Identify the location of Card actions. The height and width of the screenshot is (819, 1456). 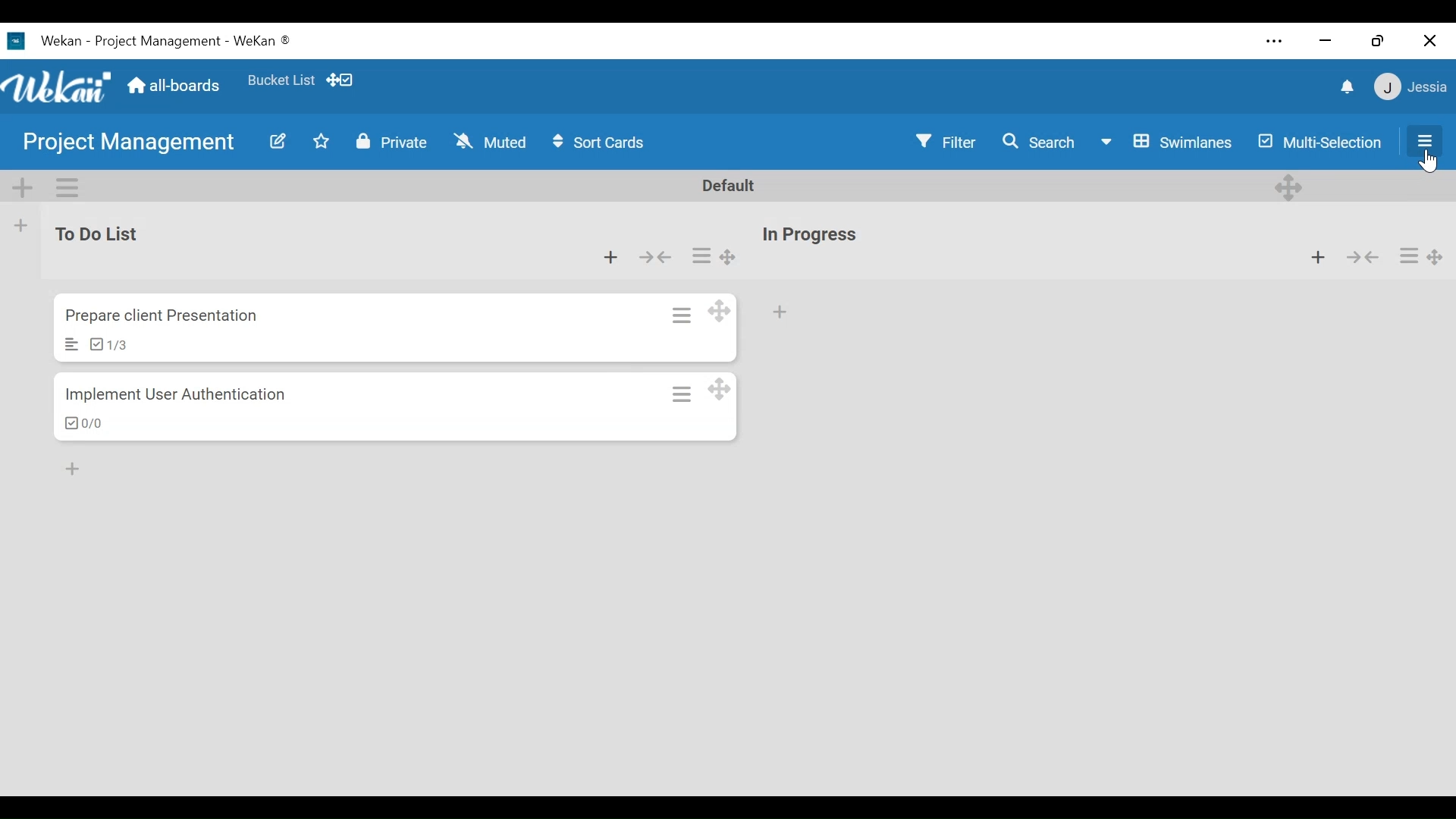
(701, 256).